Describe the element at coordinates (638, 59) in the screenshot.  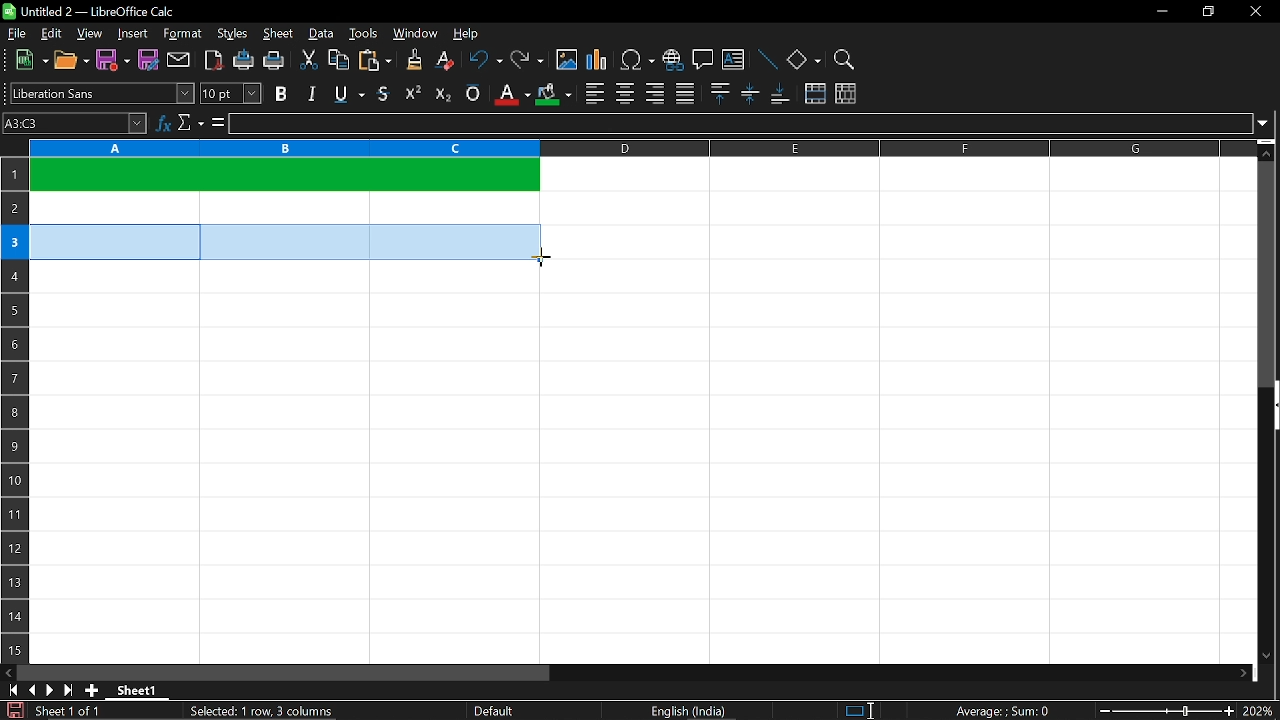
I see `insert symbol` at that location.